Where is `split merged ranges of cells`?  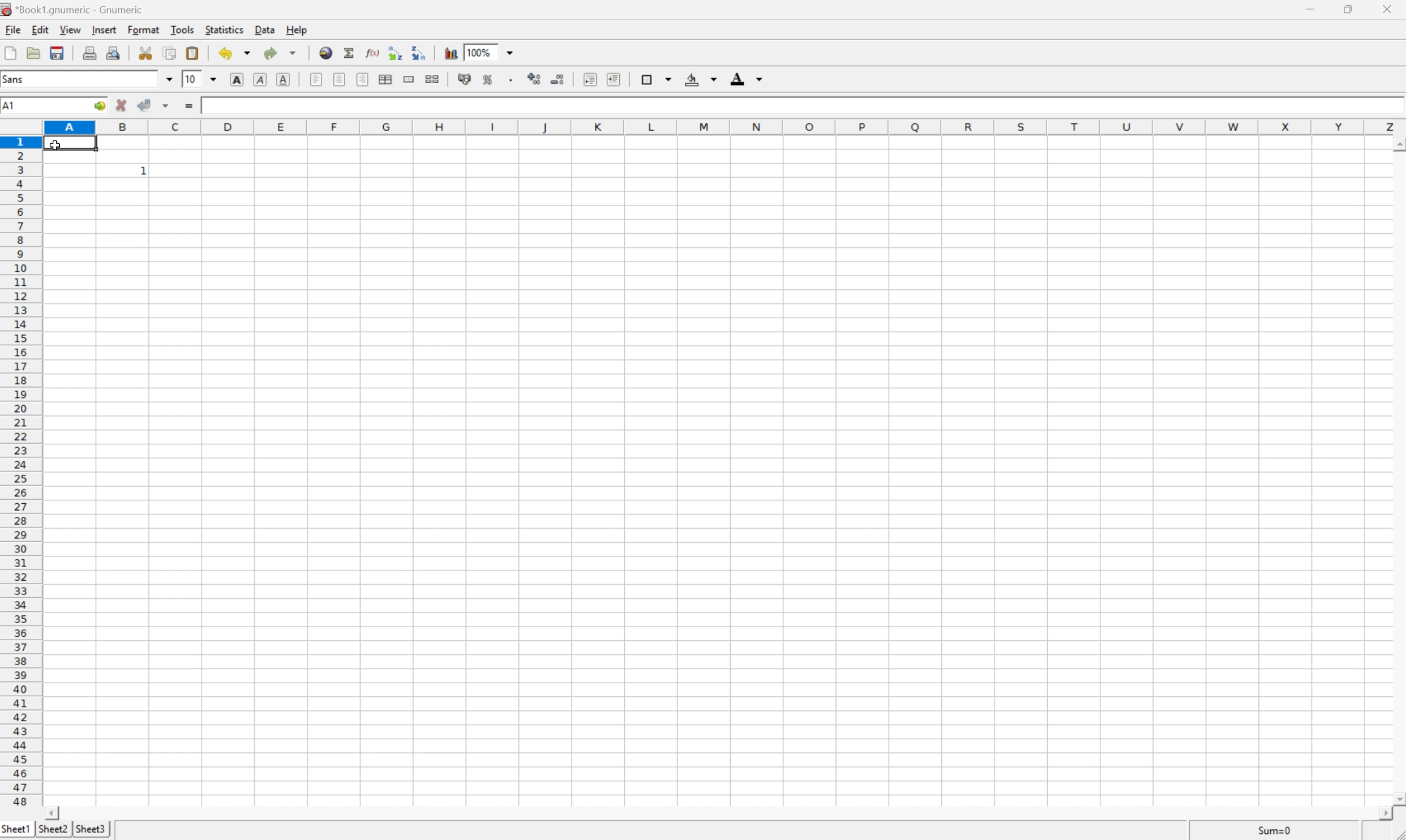
split merged ranges of cells is located at coordinates (434, 78).